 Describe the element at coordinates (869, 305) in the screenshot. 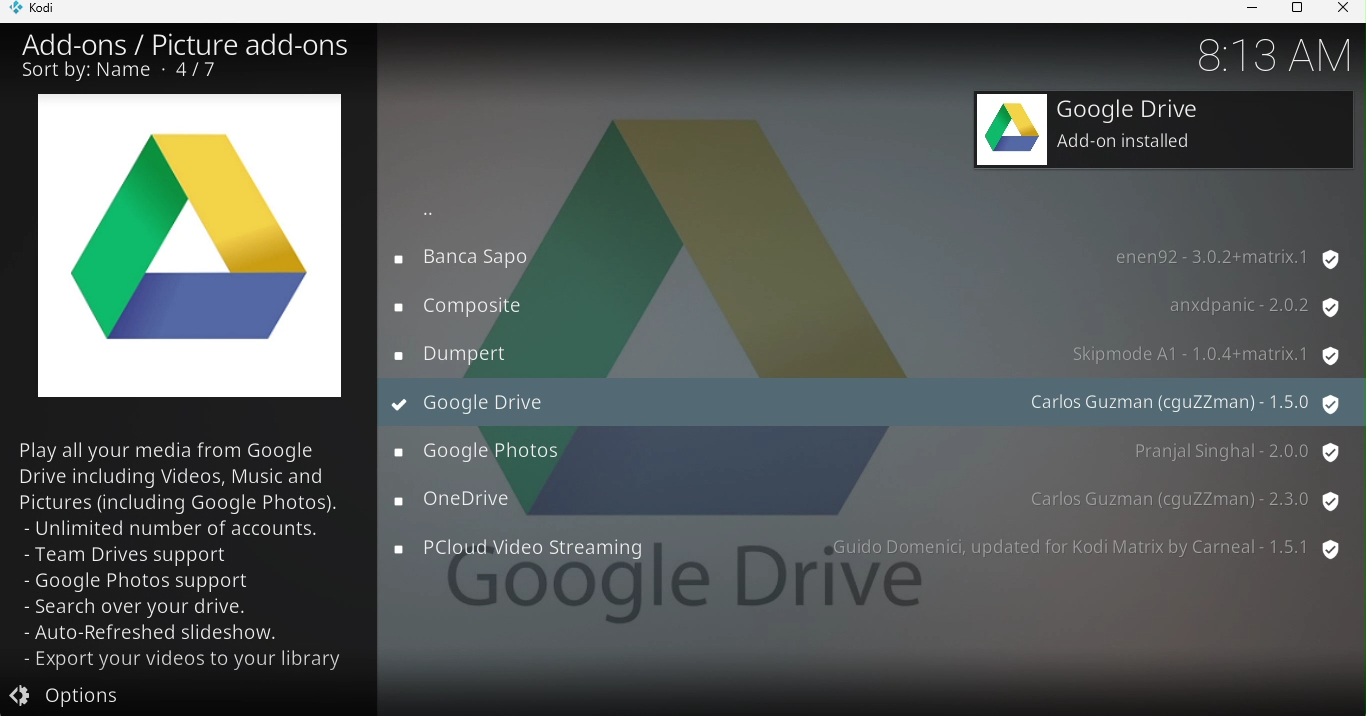

I see `Composite` at that location.